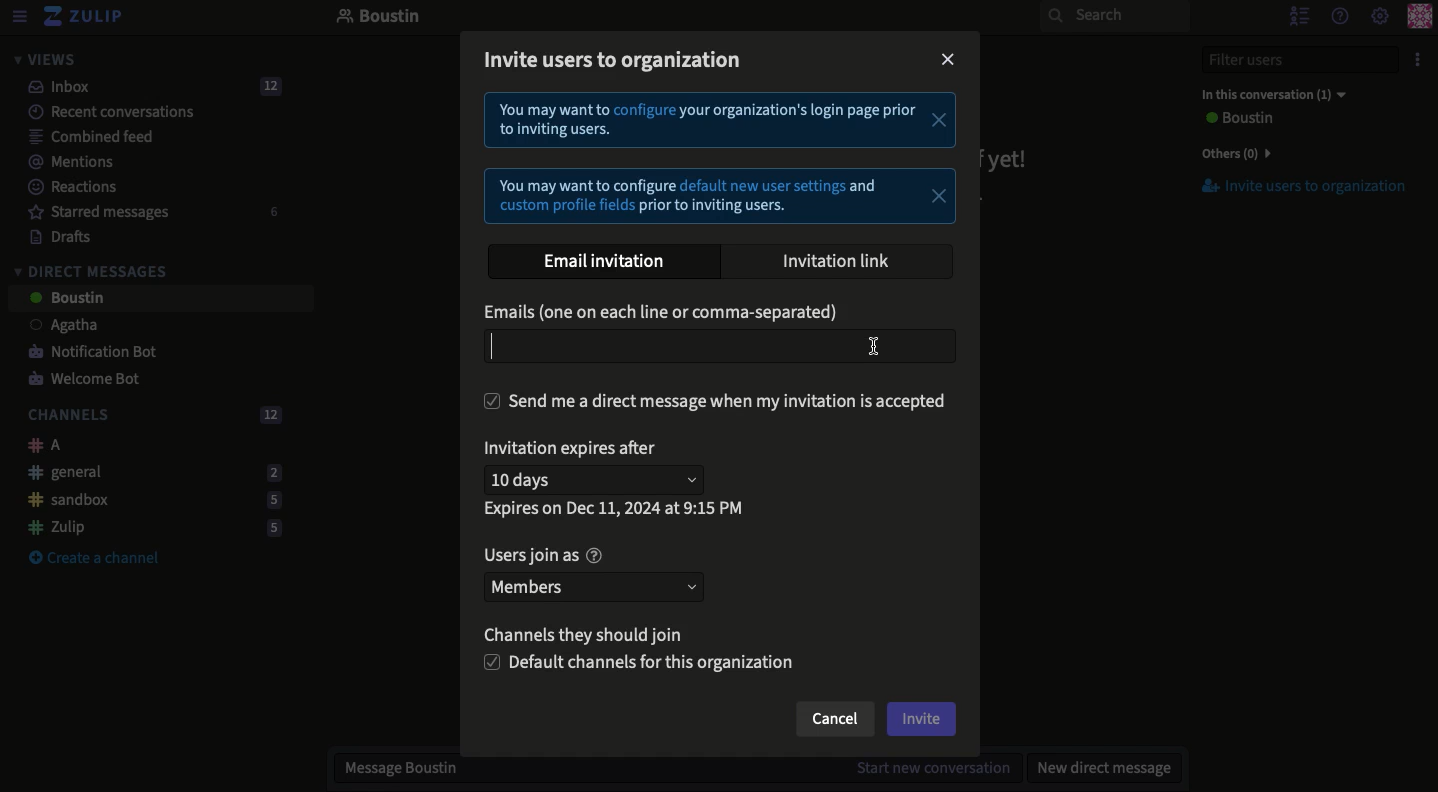 The height and width of the screenshot is (792, 1438). Describe the element at coordinates (838, 261) in the screenshot. I see `Invitation link` at that location.